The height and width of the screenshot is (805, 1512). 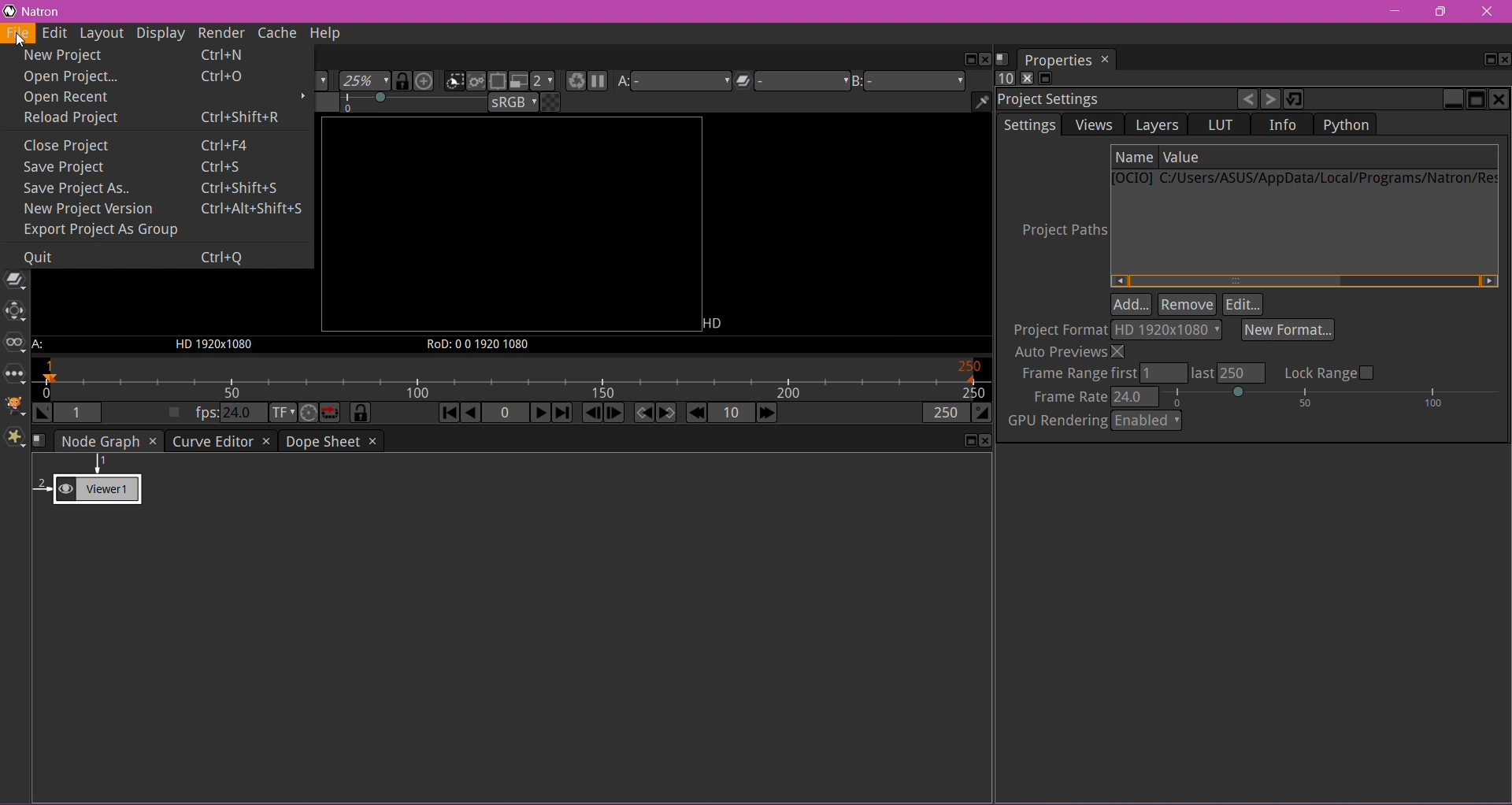 I want to click on Viewer gamma correction level, so click(x=392, y=104).